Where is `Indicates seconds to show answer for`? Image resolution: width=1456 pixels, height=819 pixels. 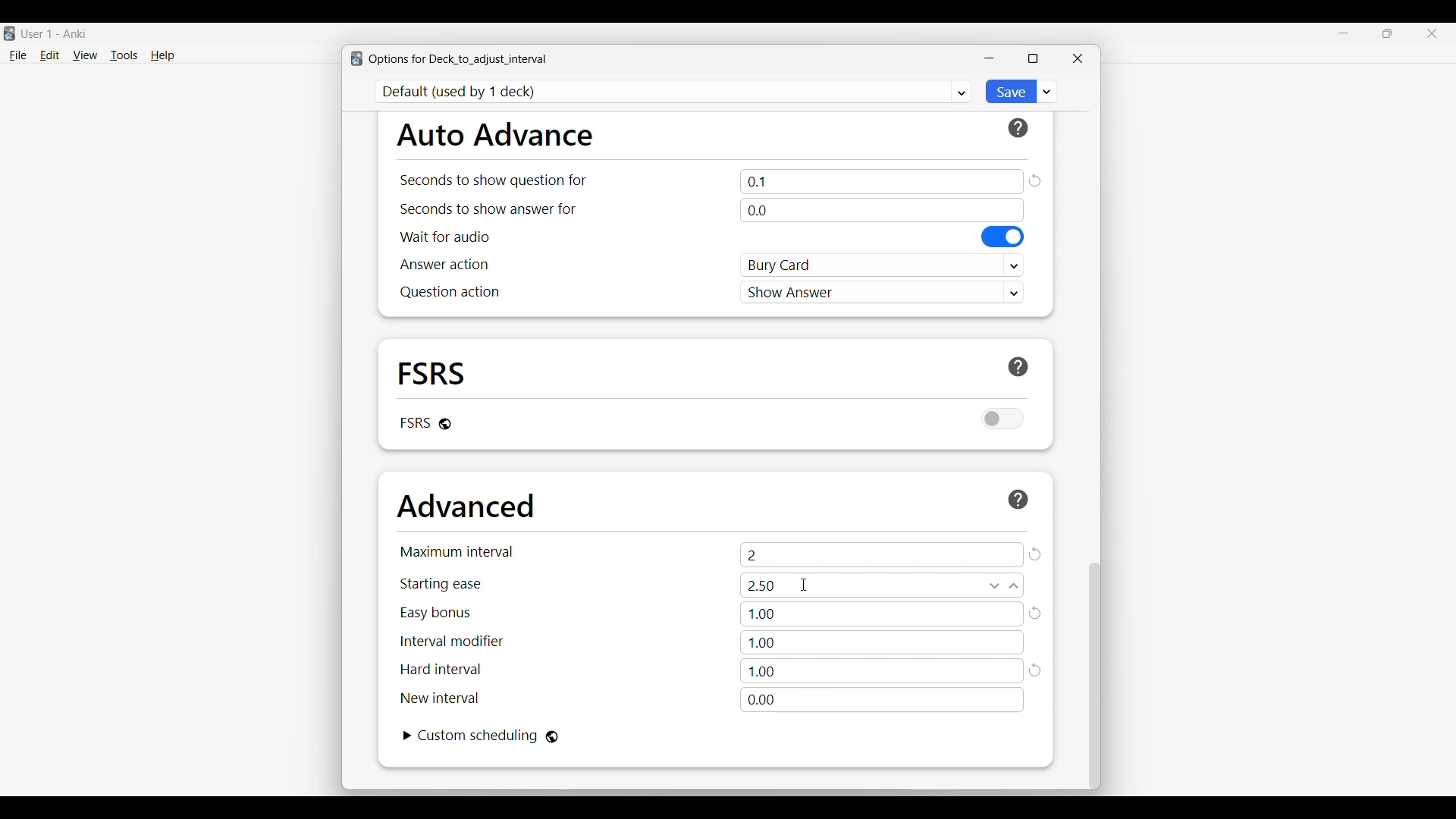
Indicates seconds to show answer for is located at coordinates (488, 209).